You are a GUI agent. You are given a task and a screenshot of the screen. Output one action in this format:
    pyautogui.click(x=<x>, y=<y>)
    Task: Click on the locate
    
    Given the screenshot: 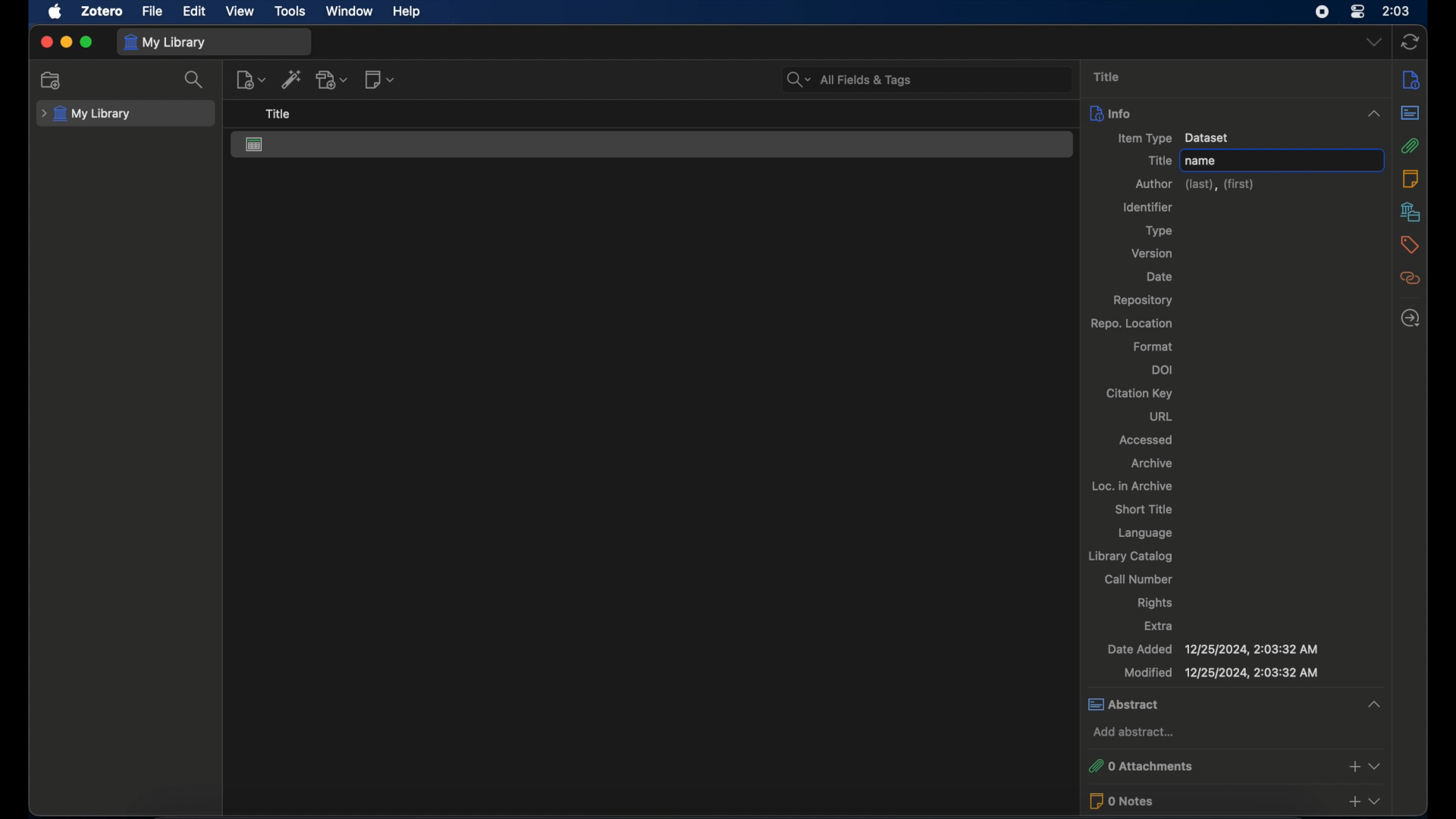 What is the action you would take?
    pyautogui.click(x=1410, y=318)
    